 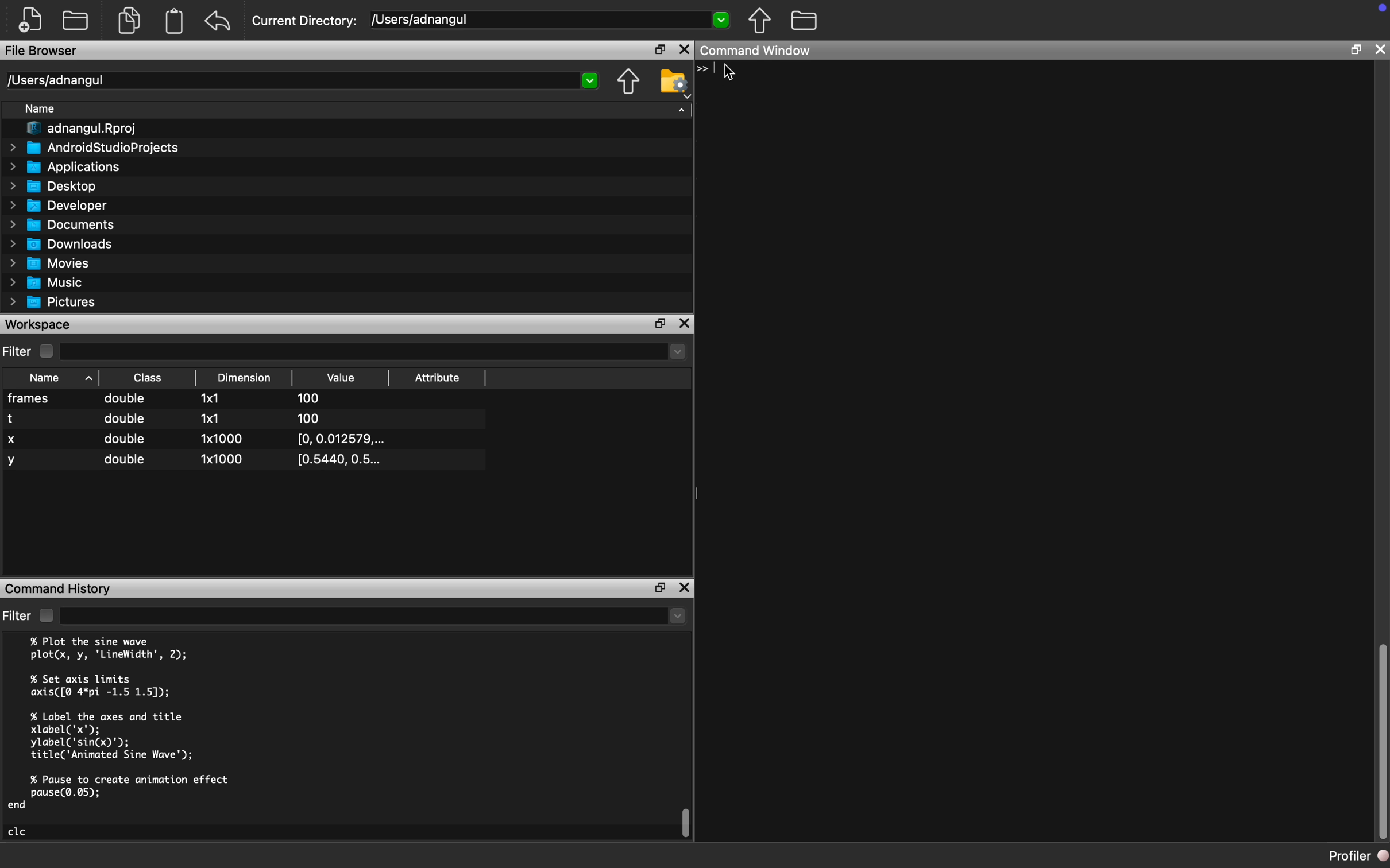 What do you see at coordinates (19, 832) in the screenshot?
I see `clc` at bounding box center [19, 832].